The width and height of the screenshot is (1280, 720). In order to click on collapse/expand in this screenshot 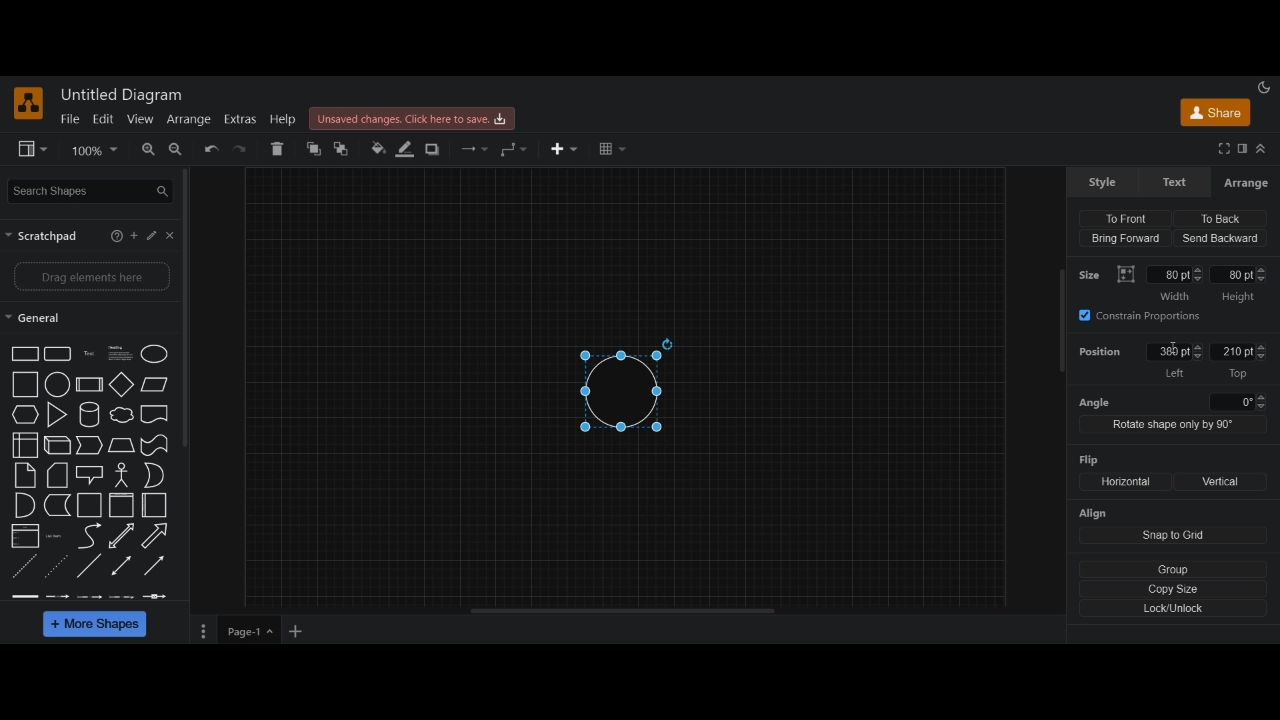, I will do `click(1263, 150)`.